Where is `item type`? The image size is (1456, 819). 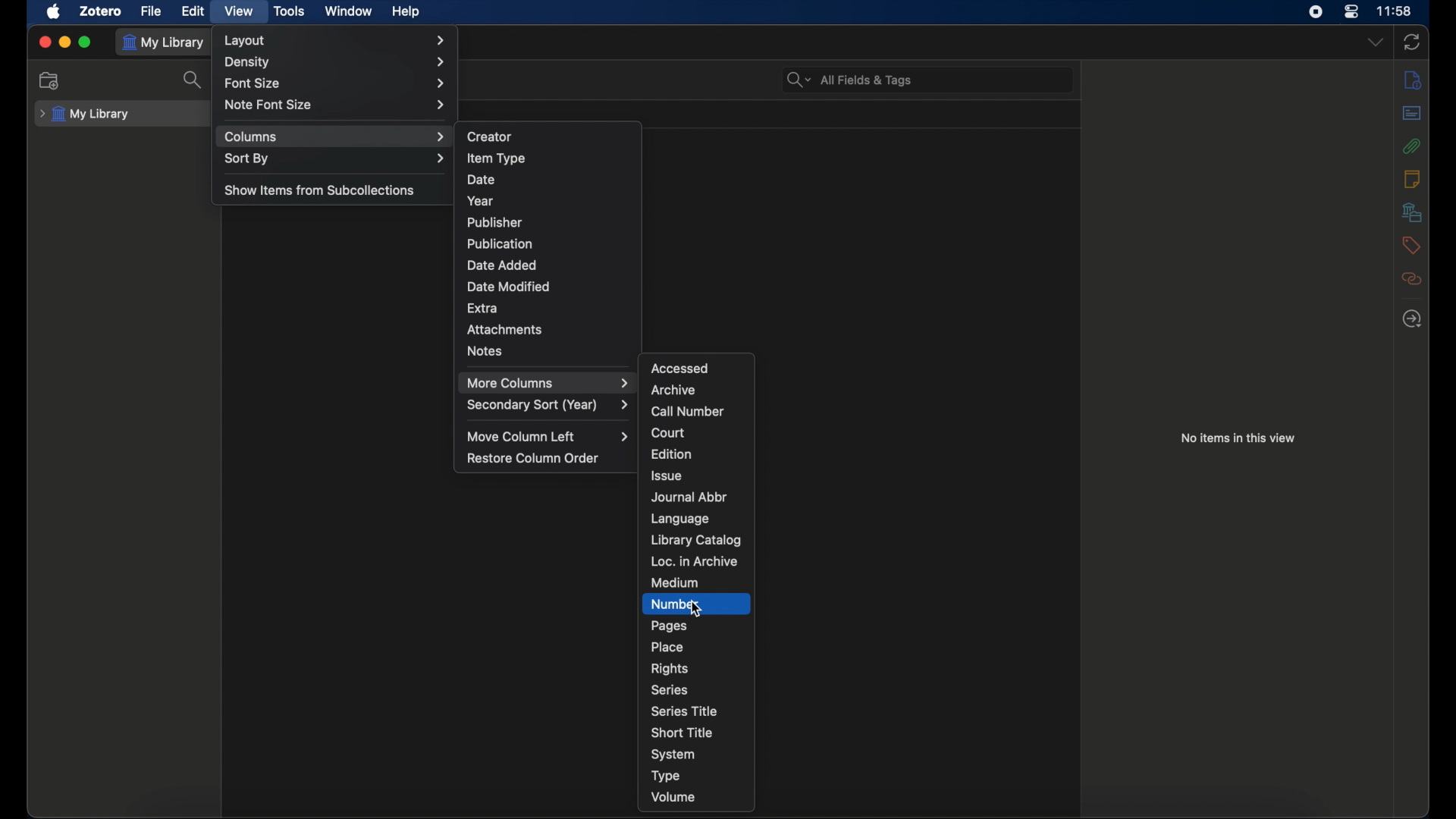 item type is located at coordinates (497, 158).